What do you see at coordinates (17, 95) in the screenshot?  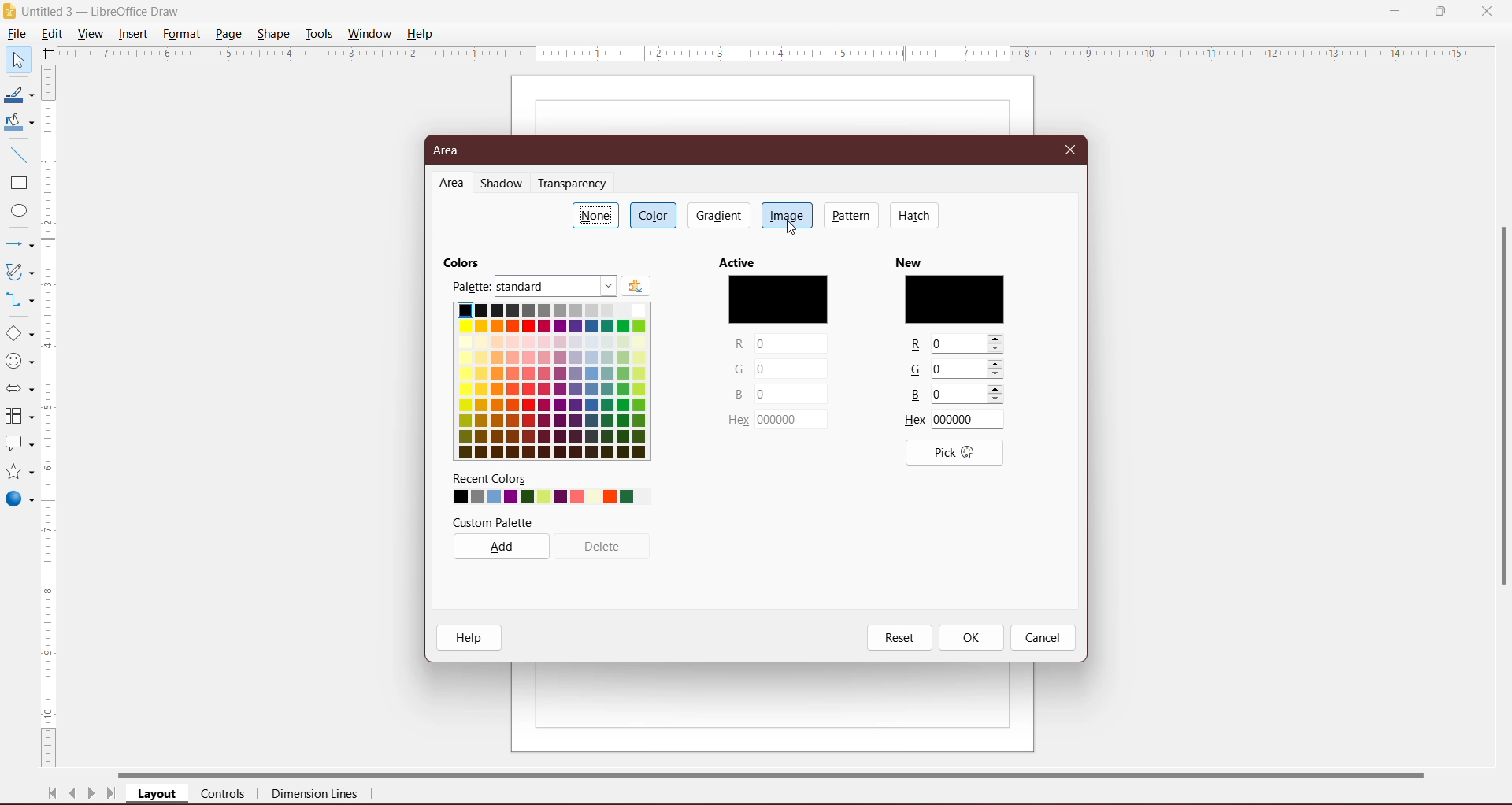 I see `Line Color` at bounding box center [17, 95].